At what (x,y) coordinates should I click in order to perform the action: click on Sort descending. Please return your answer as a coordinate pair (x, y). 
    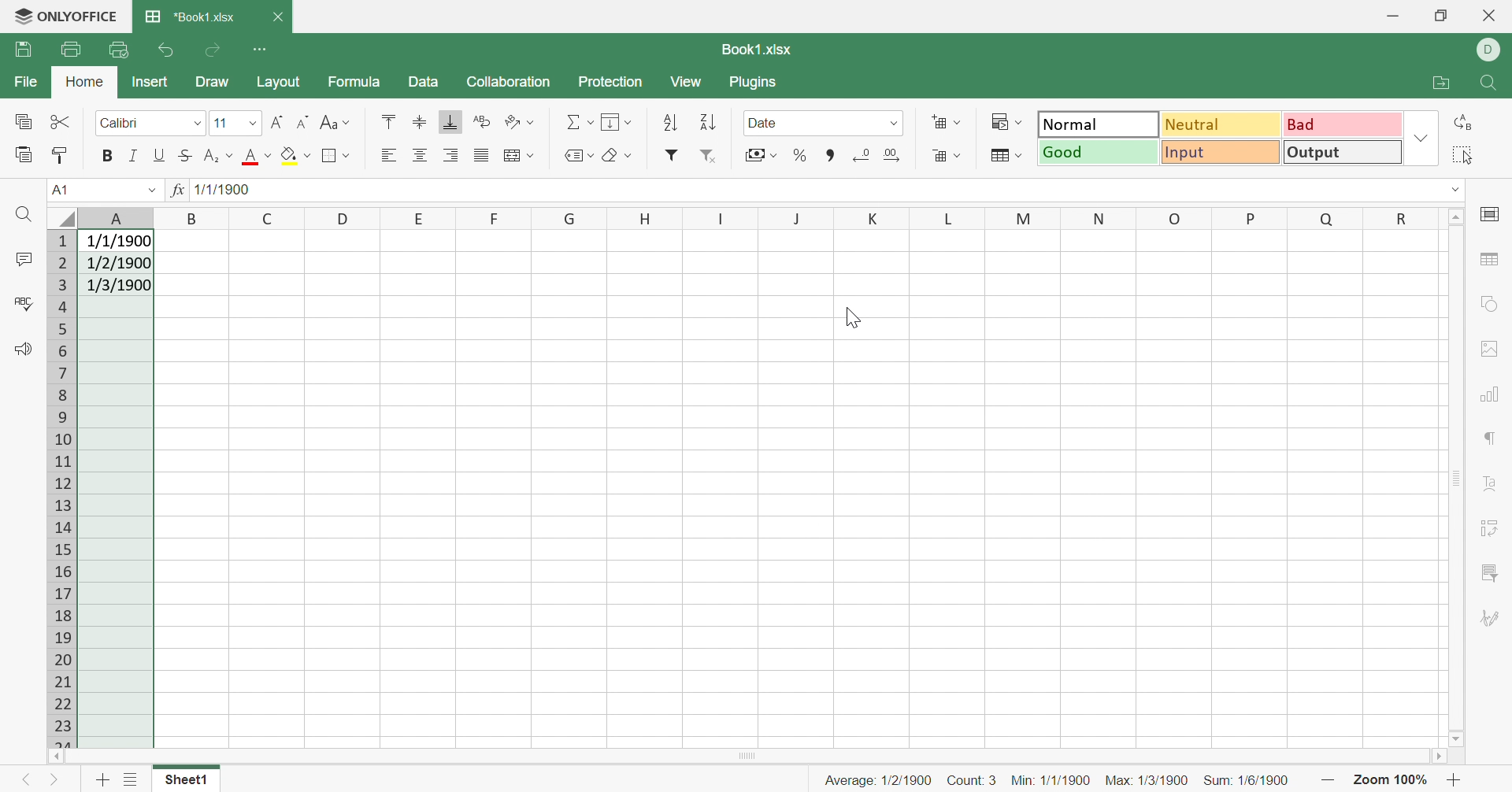
    Looking at the image, I should click on (707, 122).